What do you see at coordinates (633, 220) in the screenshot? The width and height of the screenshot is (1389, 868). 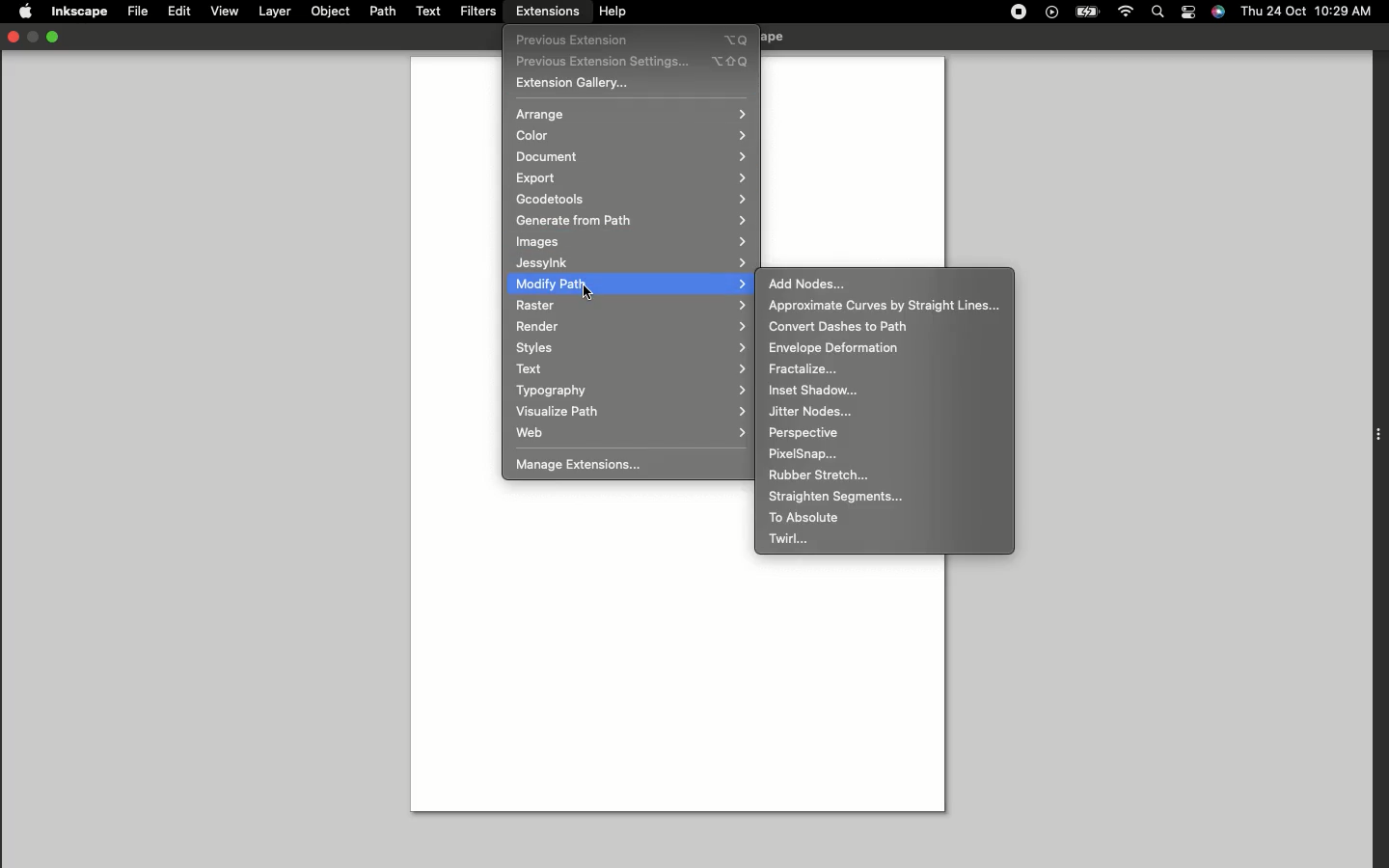 I see `Generate from path` at bounding box center [633, 220].